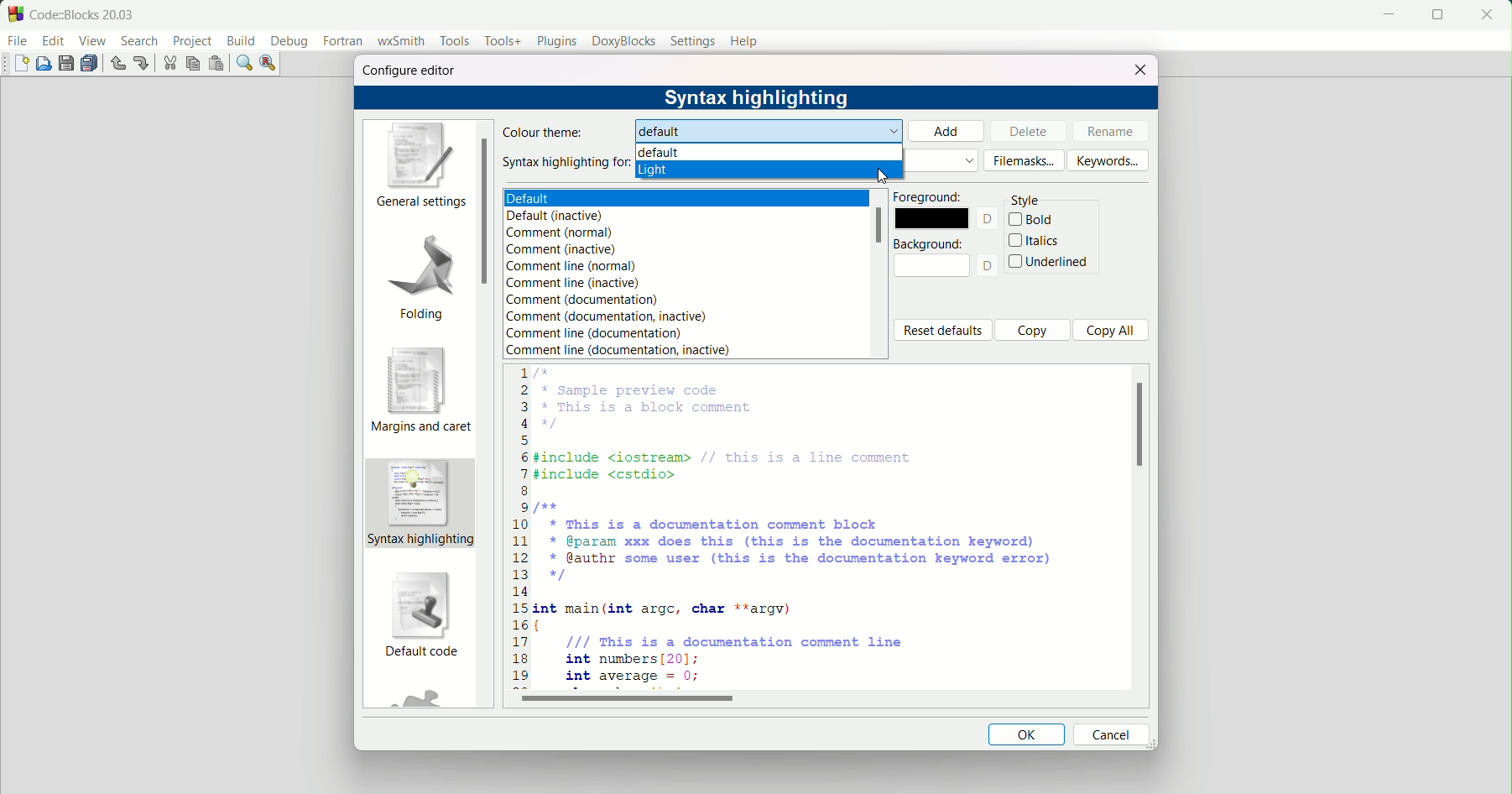 The width and height of the screenshot is (1512, 794). I want to click on search, so click(138, 41).